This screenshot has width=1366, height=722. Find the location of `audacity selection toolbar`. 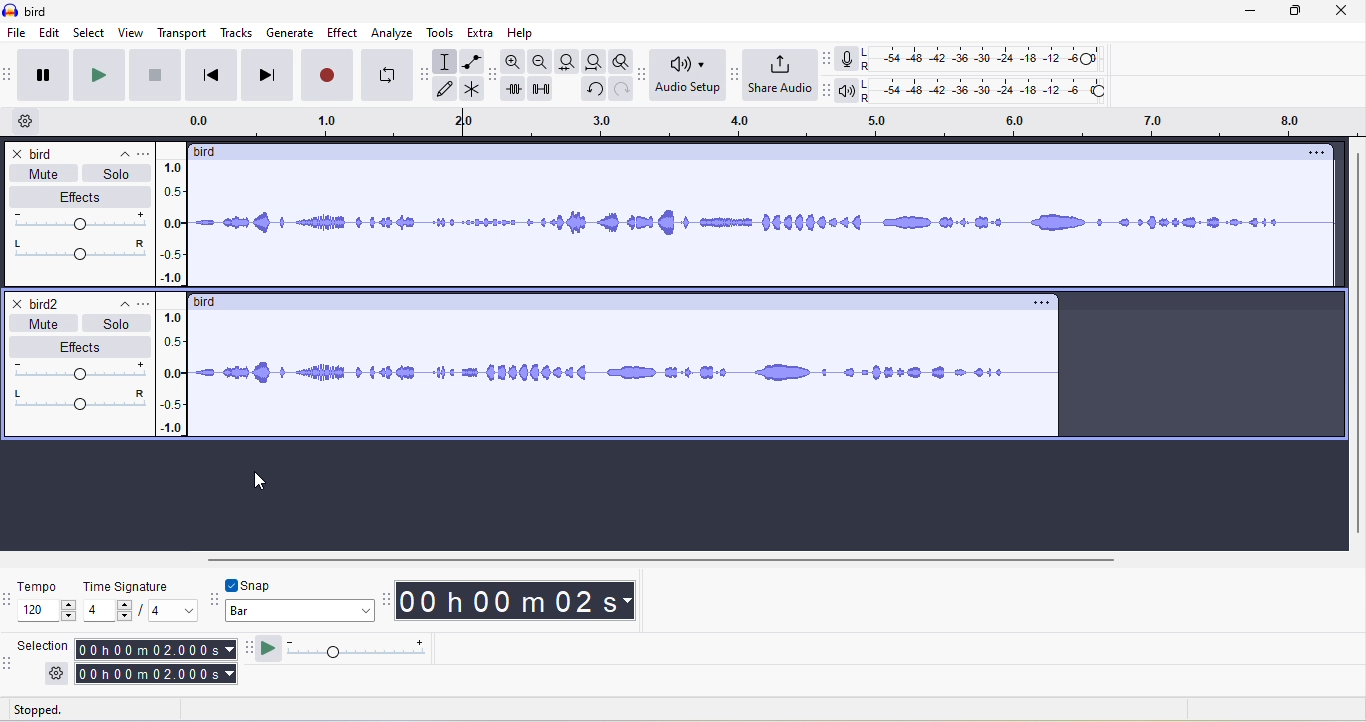

audacity selection toolbar is located at coordinates (9, 663).